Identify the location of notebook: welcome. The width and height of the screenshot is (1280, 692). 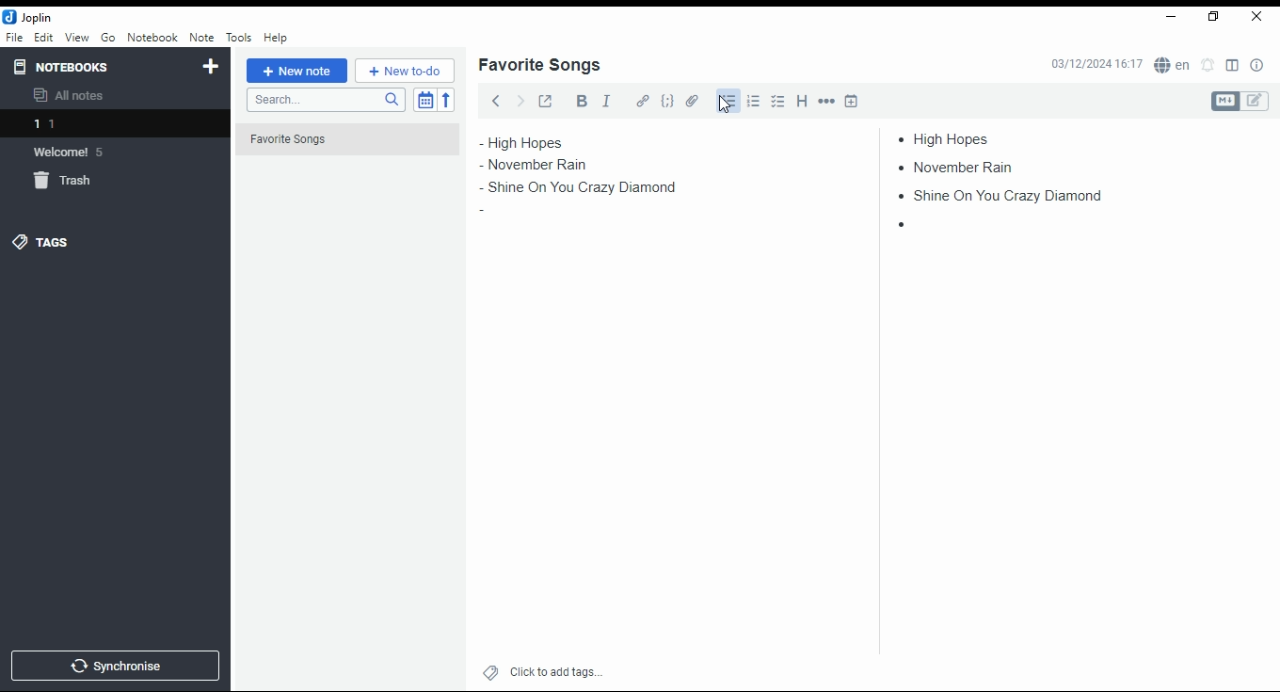
(73, 151).